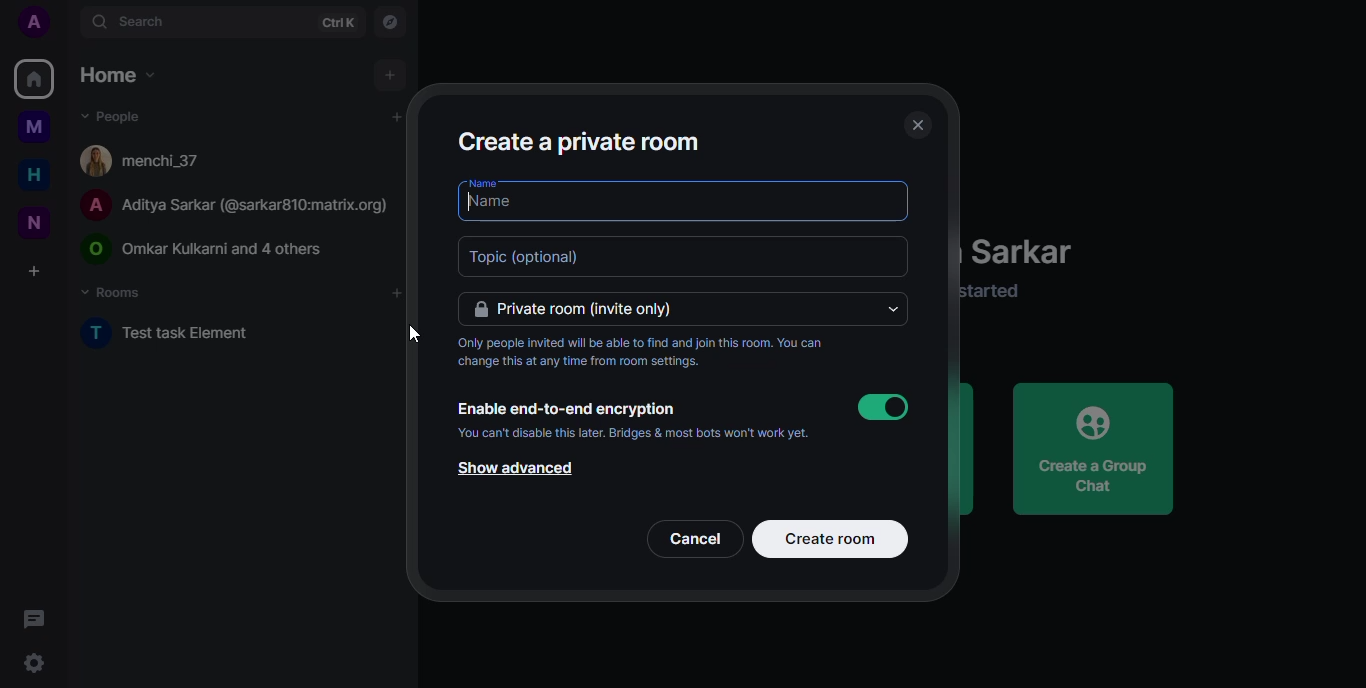  What do you see at coordinates (117, 75) in the screenshot?
I see `home` at bounding box center [117, 75].